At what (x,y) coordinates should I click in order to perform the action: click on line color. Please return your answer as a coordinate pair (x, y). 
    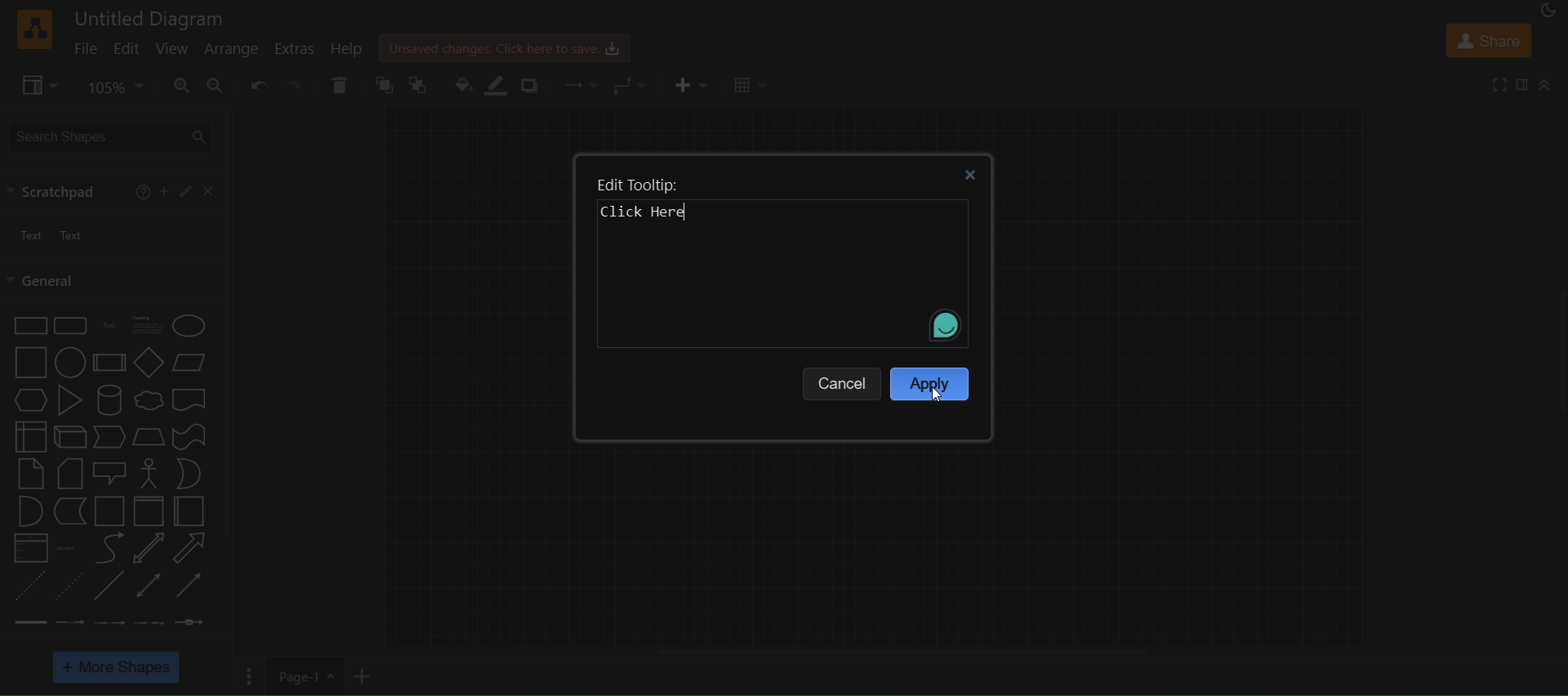
    Looking at the image, I should click on (498, 85).